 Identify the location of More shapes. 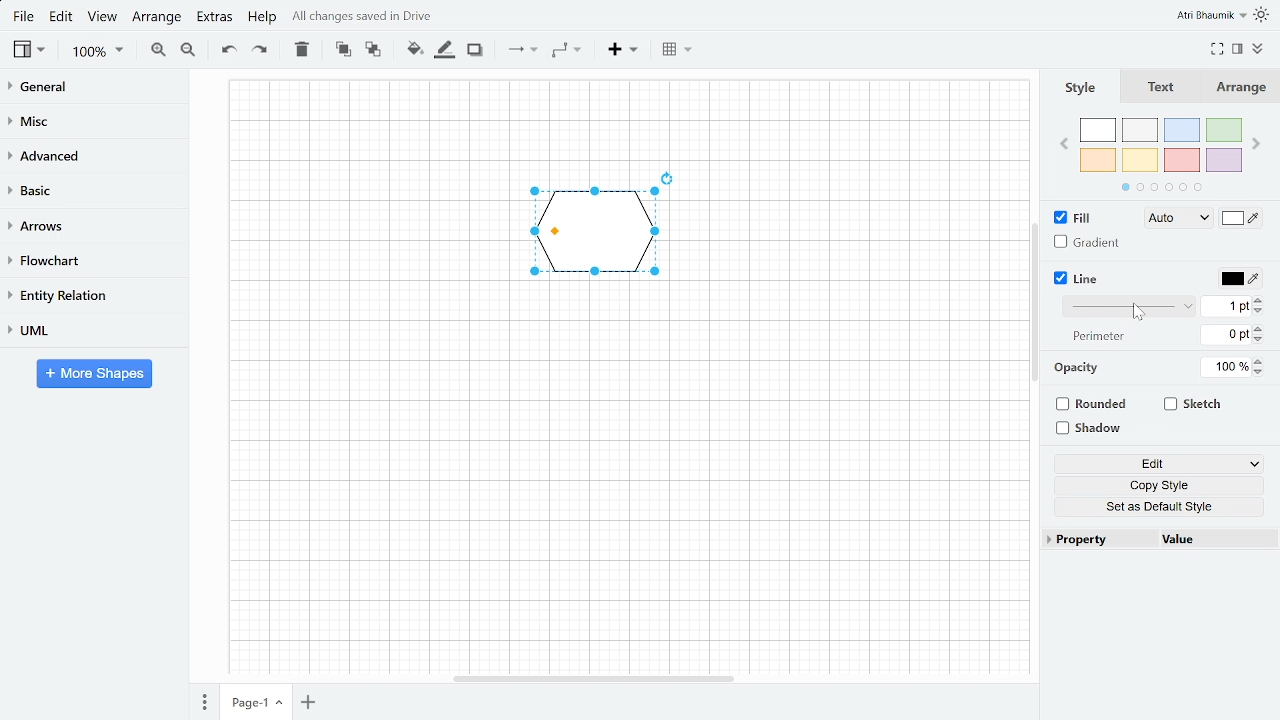
(94, 374).